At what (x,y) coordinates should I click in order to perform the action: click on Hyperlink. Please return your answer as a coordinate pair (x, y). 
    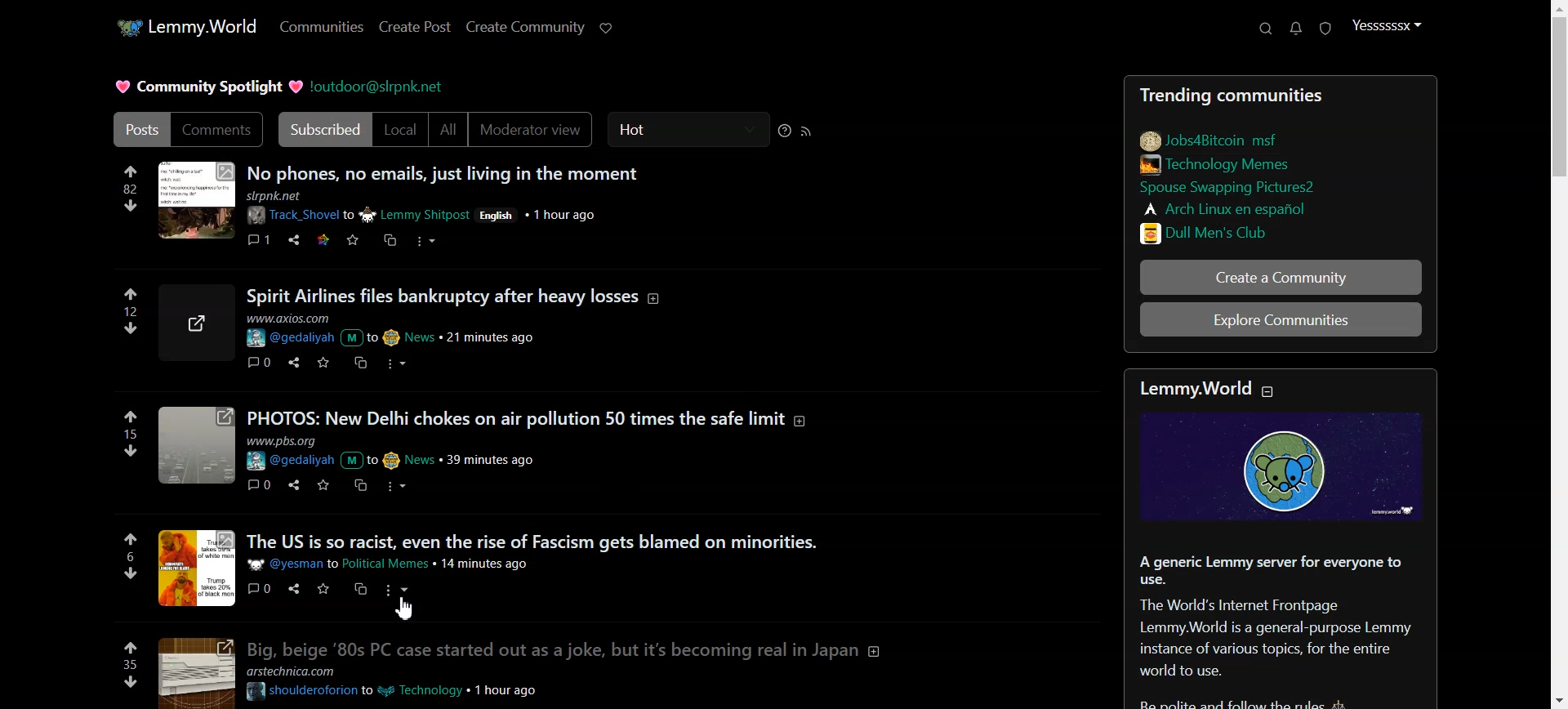
    Looking at the image, I should click on (379, 86).